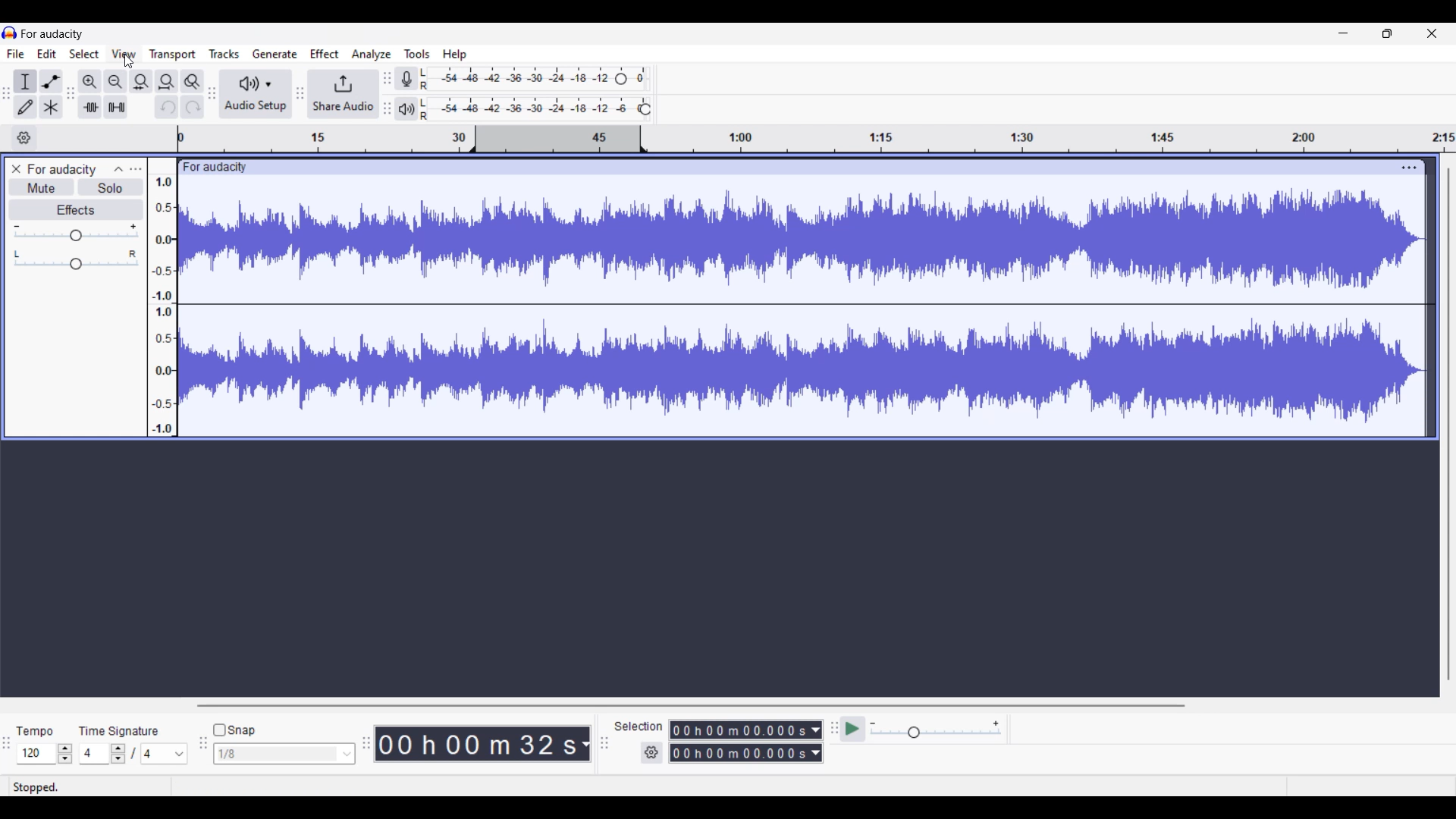  What do you see at coordinates (77, 209) in the screenshot?
I see `Effects` at bounding box center [77, 209].